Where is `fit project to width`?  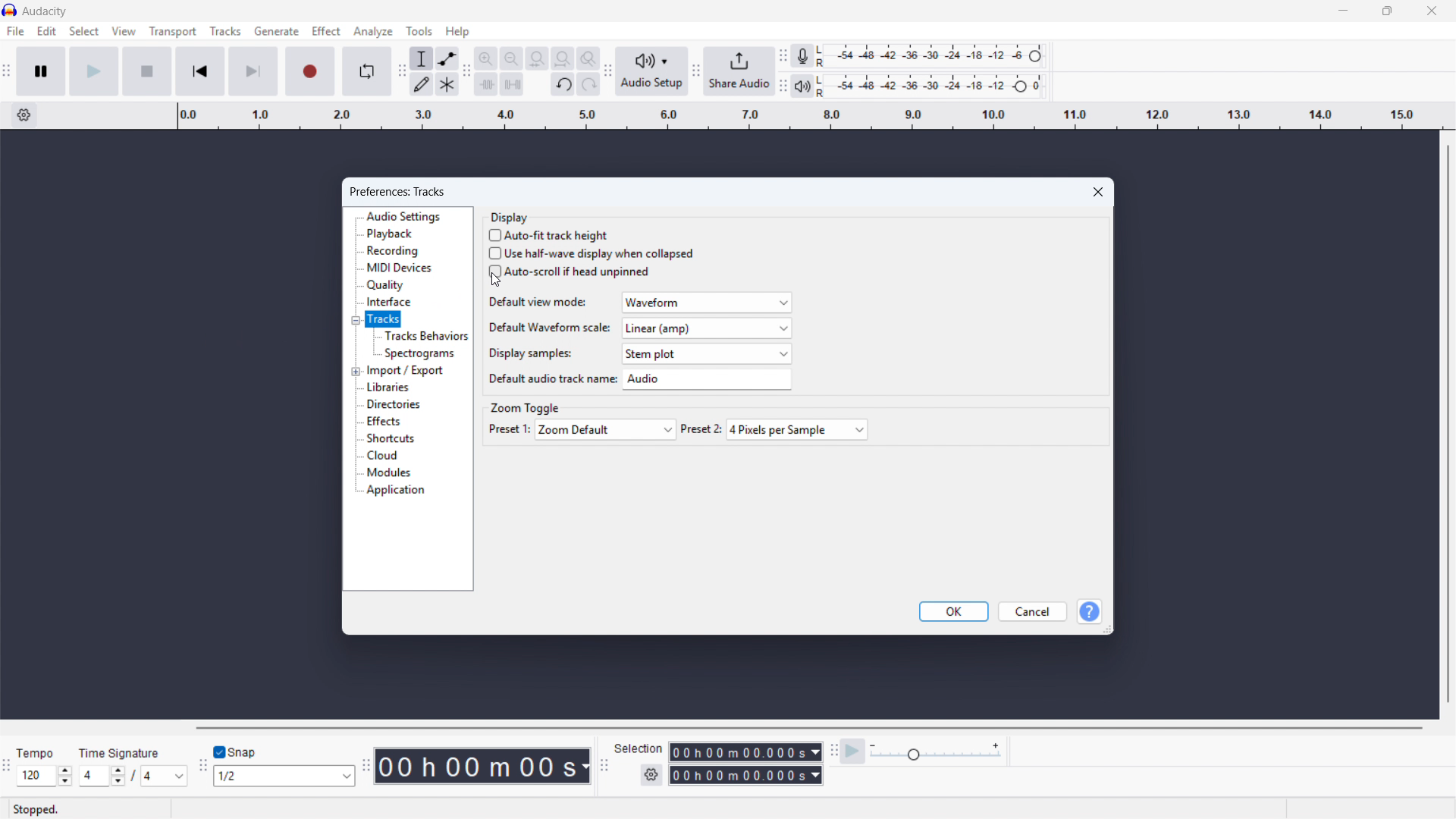
fit project to width is located at coordinates (563, 58).